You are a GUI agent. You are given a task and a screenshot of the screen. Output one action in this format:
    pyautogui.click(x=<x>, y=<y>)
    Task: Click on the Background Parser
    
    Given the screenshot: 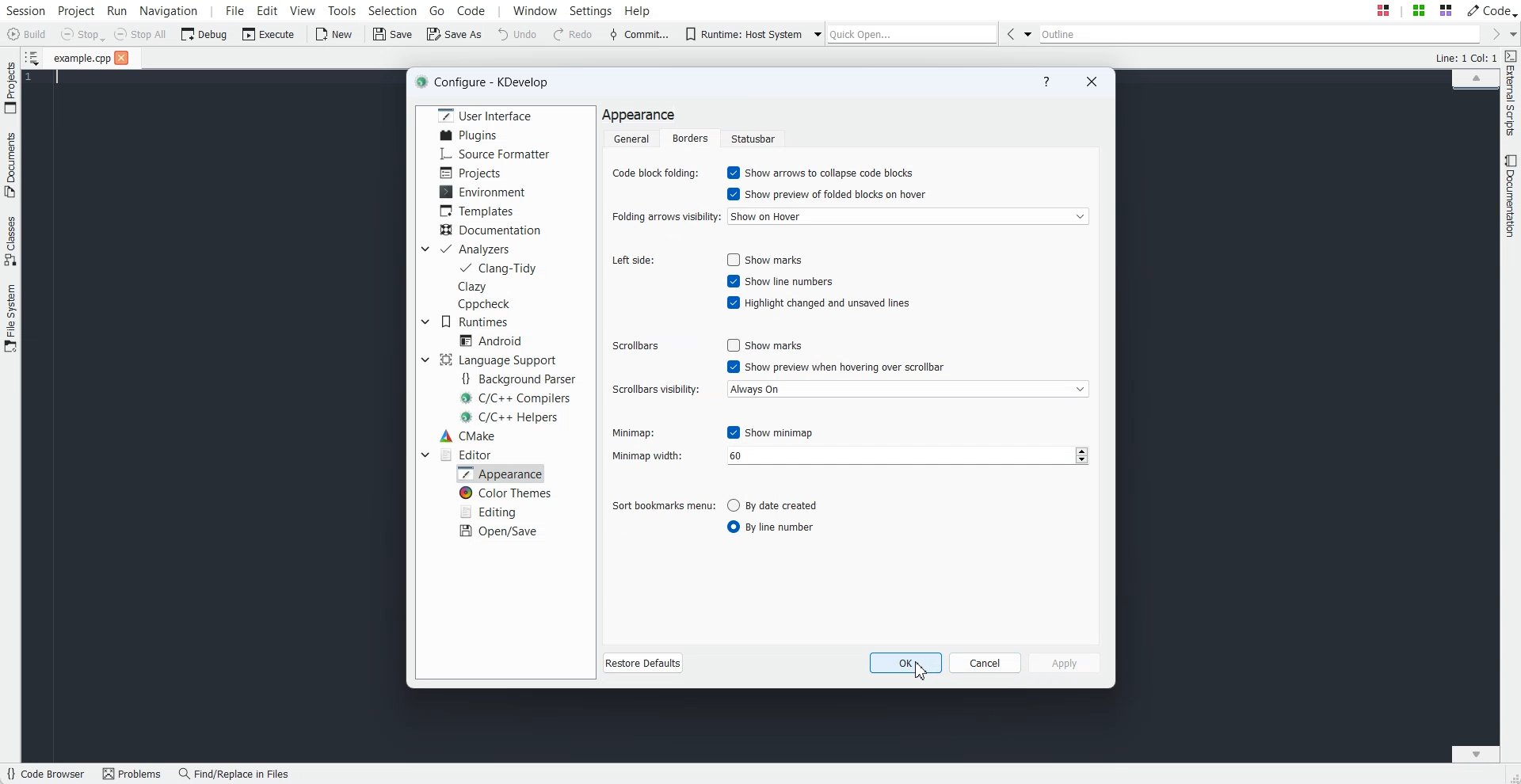 What is the action you would take?
    pyautogui.click(x=520, y=378)
    